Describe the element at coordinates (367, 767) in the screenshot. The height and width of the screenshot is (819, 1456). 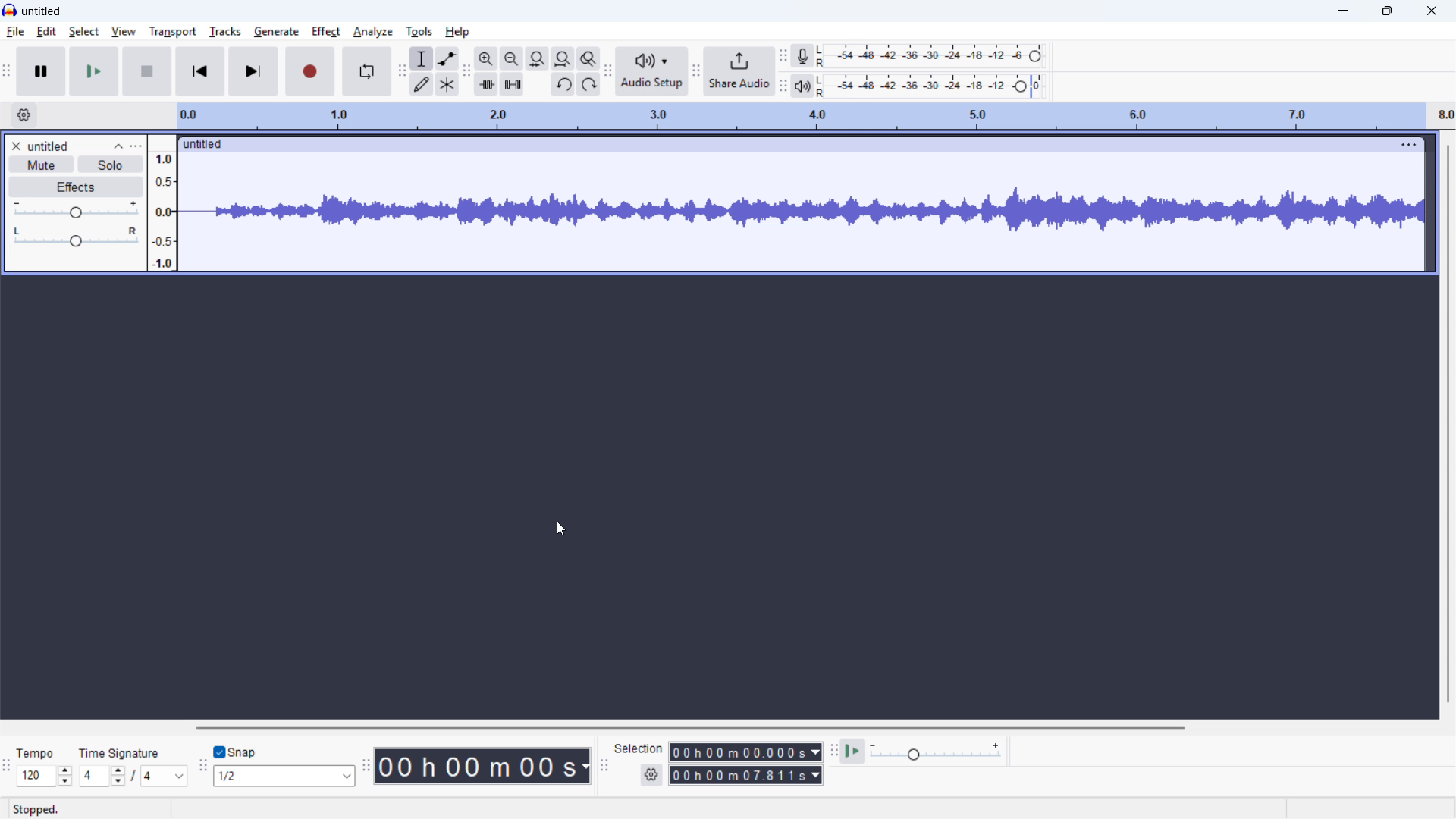
I see `Time toolbar ` at that location.